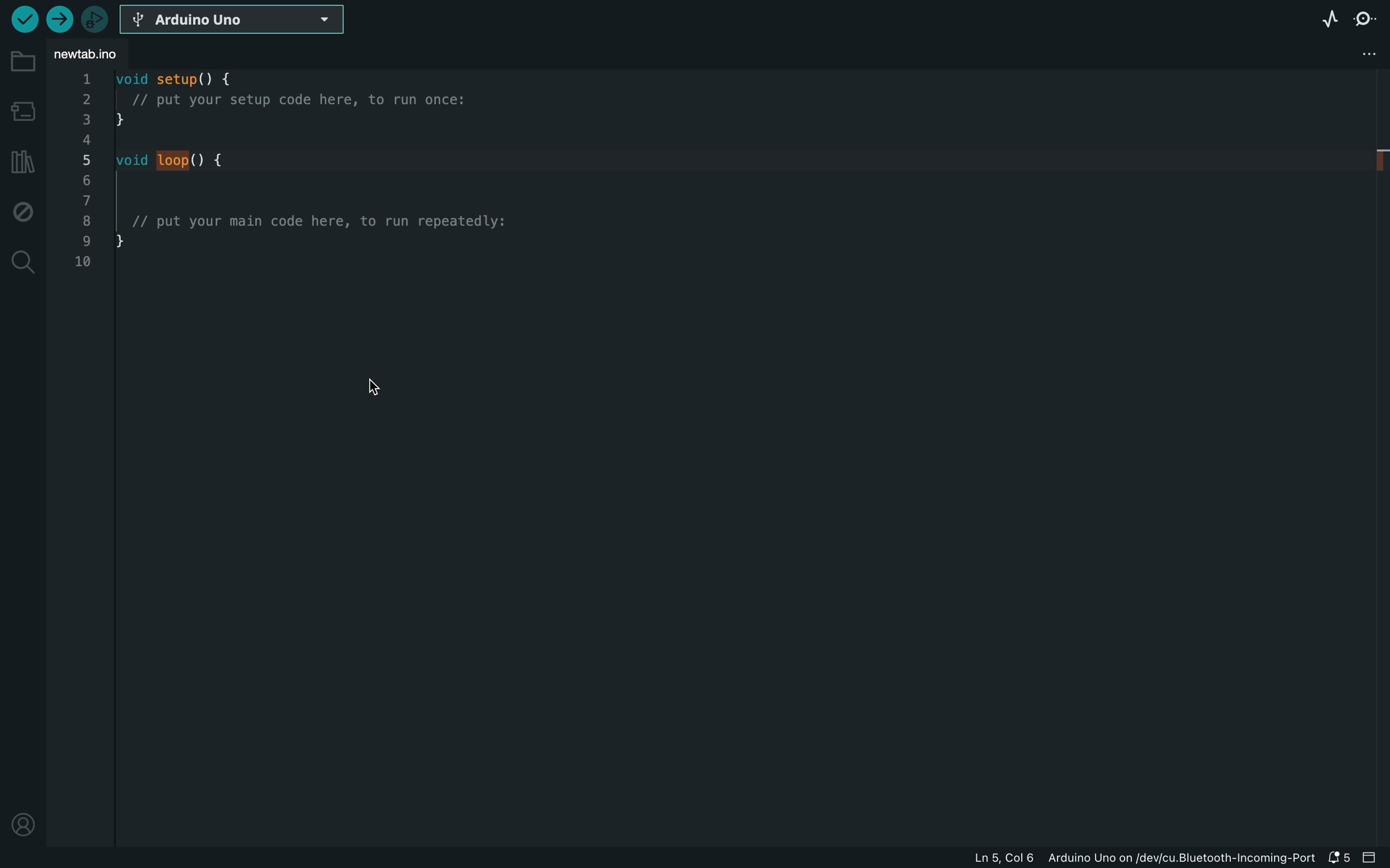  I want to click on cursor, so click(368, 388).